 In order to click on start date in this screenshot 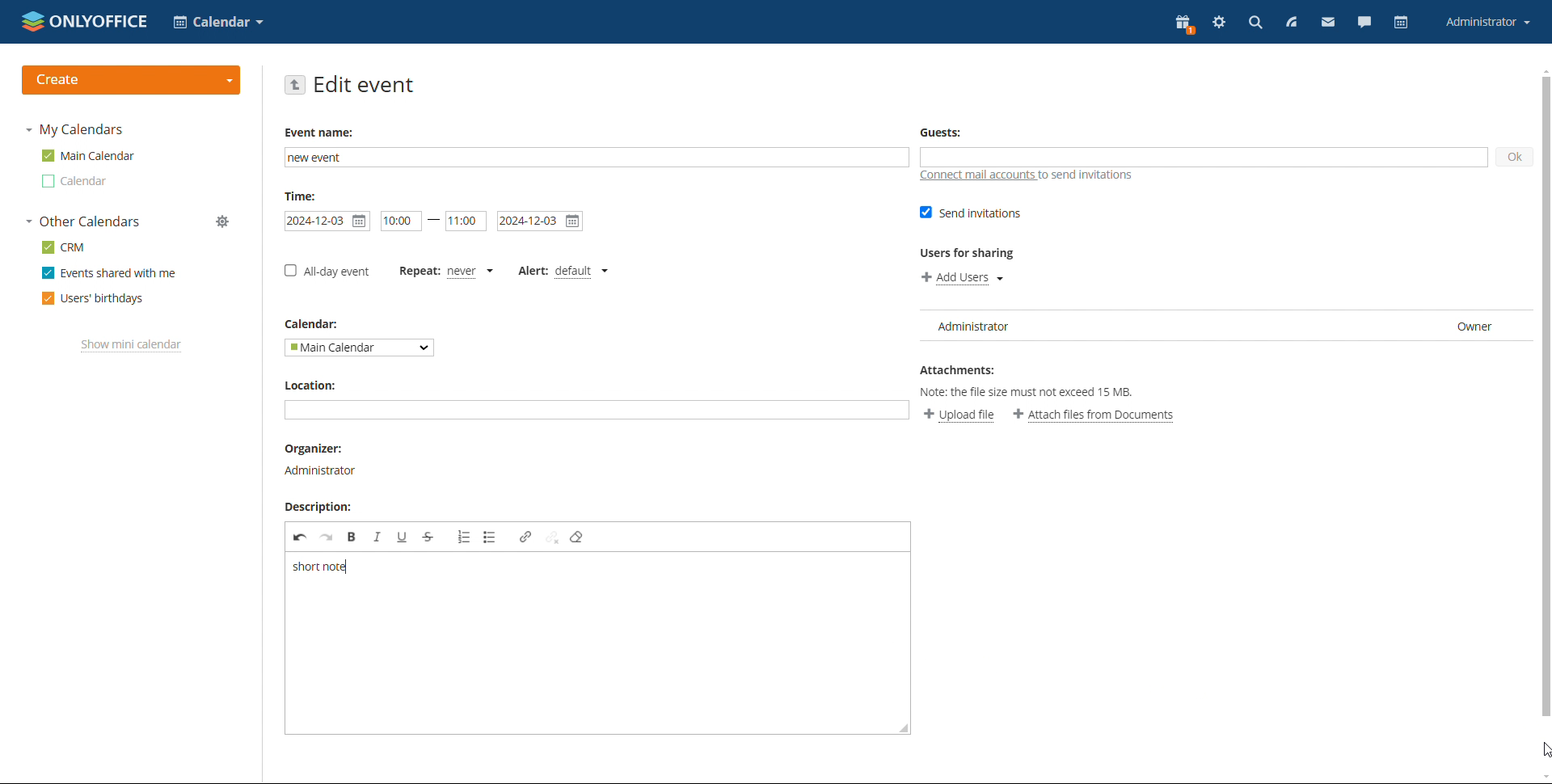, I will do `click(400, 221)`.